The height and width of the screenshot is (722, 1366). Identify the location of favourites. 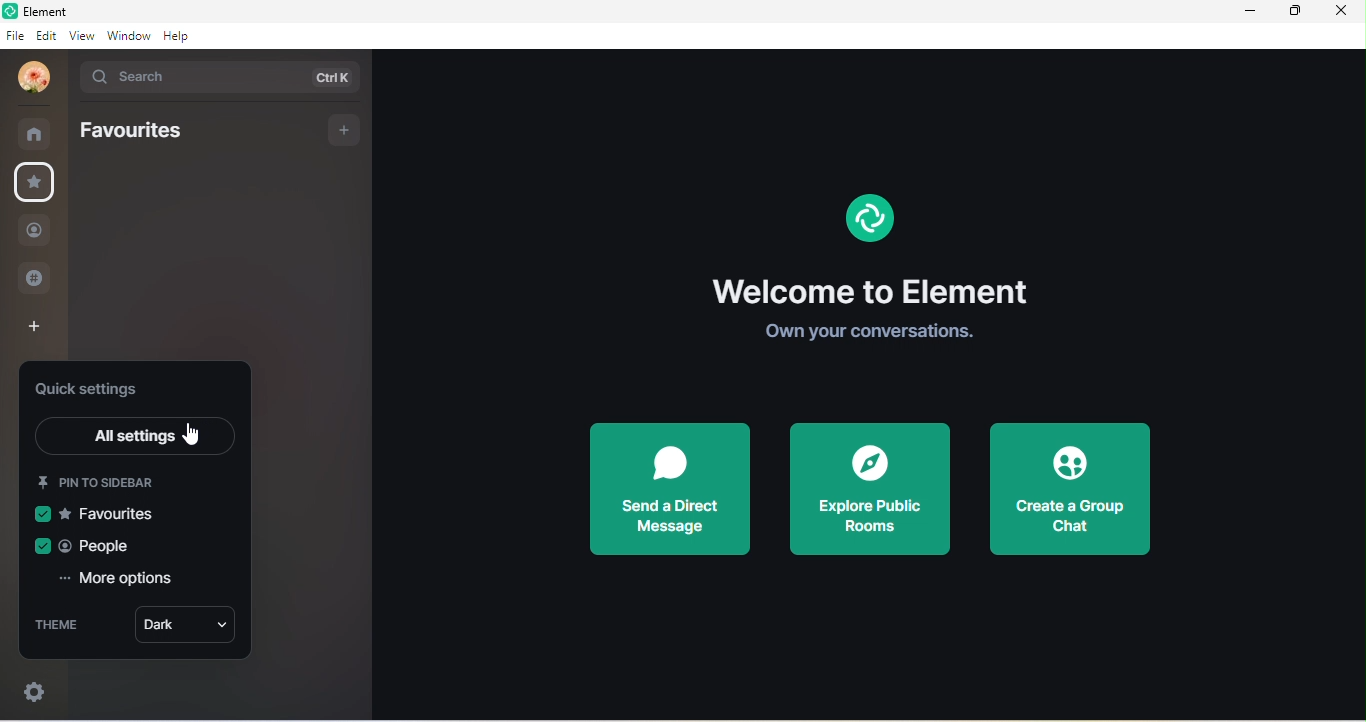
(114, 513).